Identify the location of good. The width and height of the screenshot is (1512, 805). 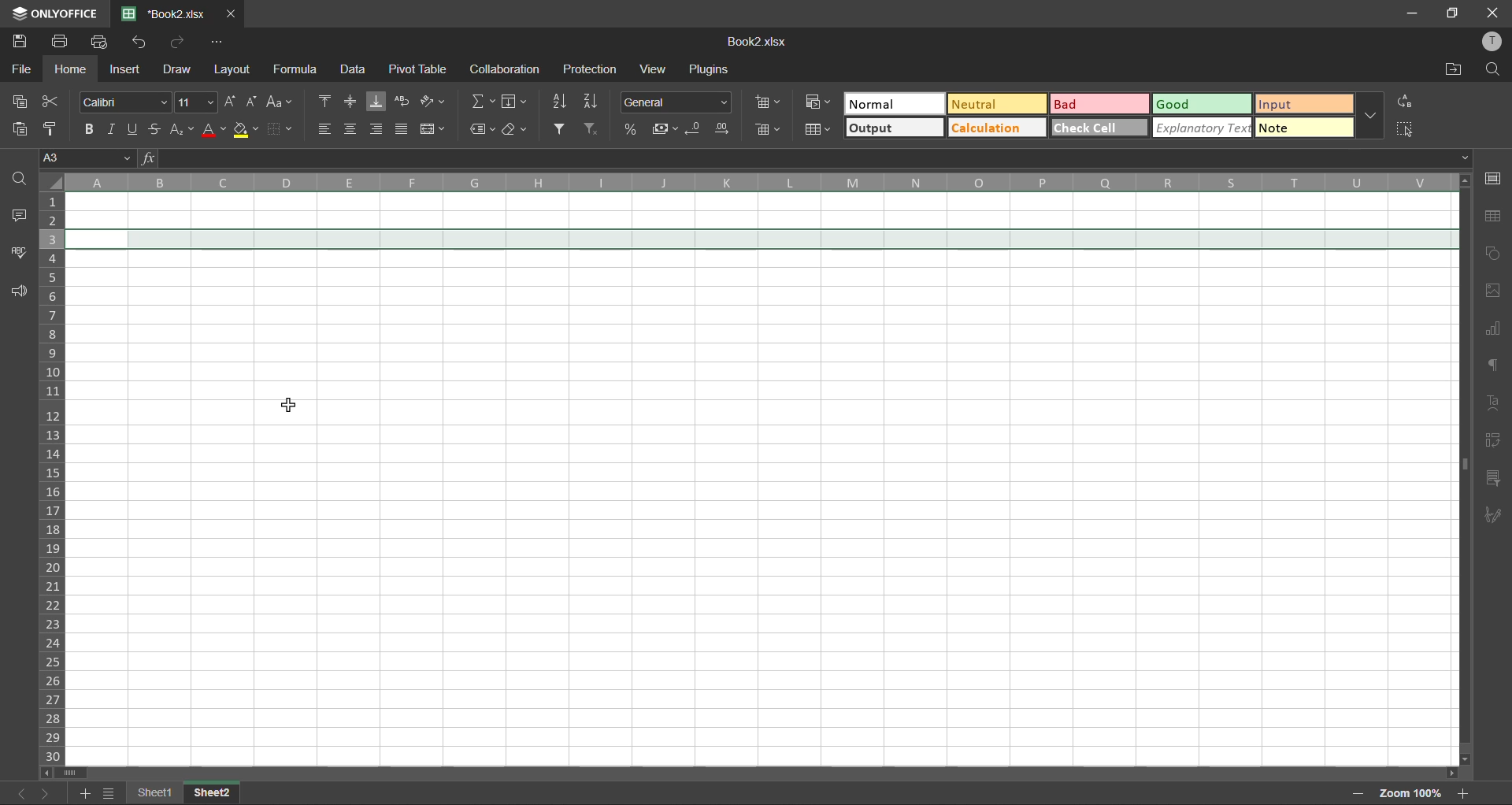
(1199, 105).